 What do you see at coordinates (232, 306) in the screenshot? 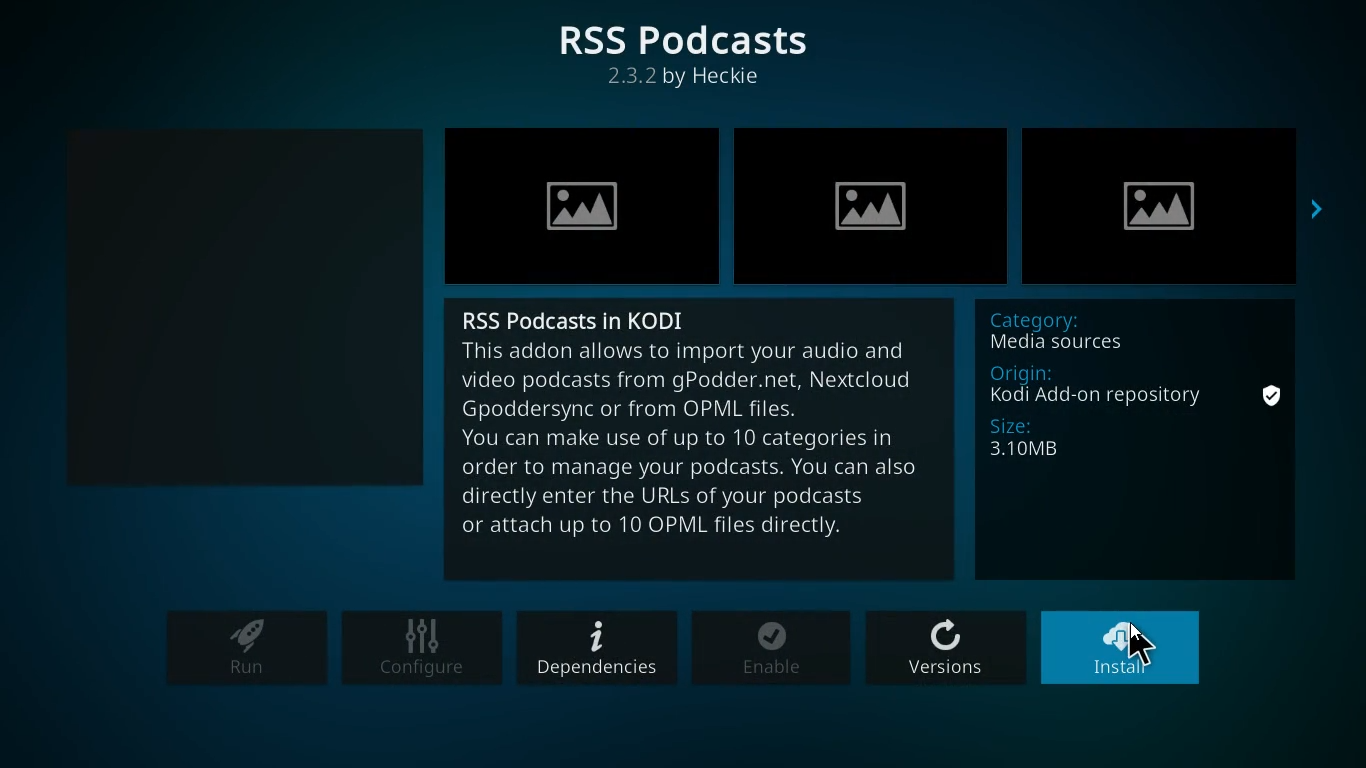
I see `logo` at bounding box center [232, 306].